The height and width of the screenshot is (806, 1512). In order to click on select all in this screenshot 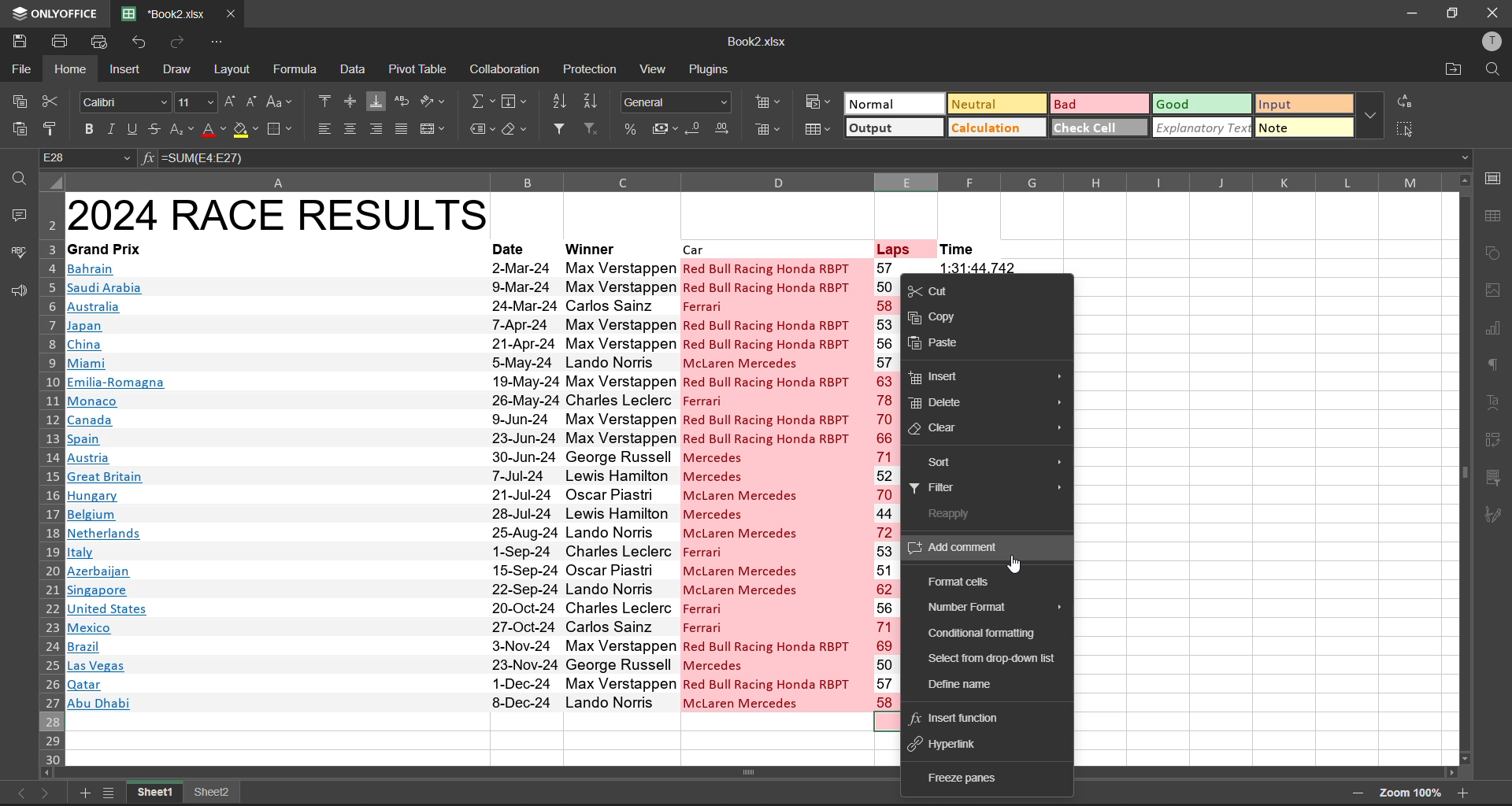, I will do `click(1411, 129)`.